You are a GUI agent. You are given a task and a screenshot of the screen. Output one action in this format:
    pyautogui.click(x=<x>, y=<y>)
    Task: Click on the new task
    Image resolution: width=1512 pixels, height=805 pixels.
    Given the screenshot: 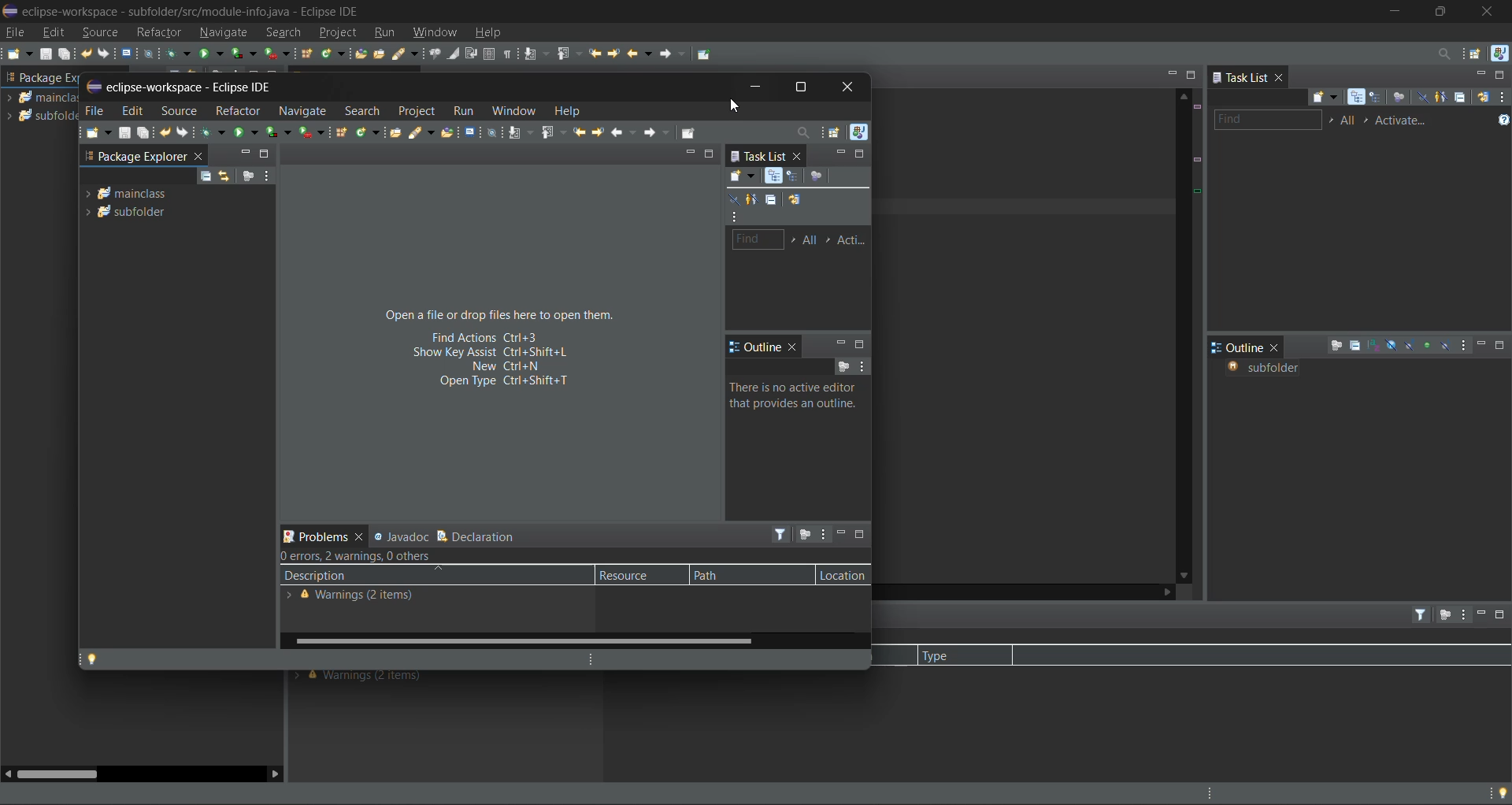 What is the action you would take?
    pyautogui.click(x=744, y=177)
    